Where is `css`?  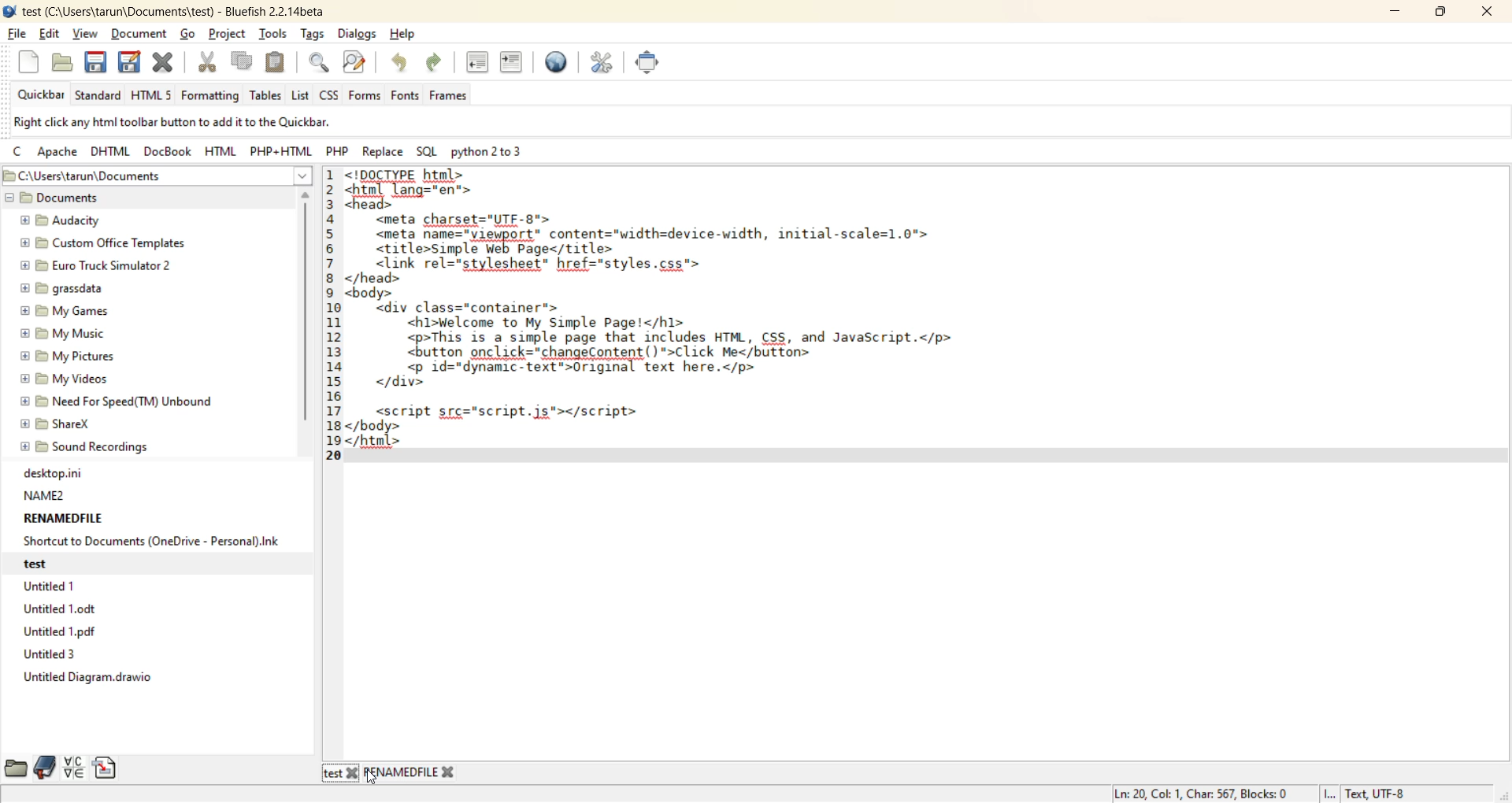
css is located at coordinates (329, 95).